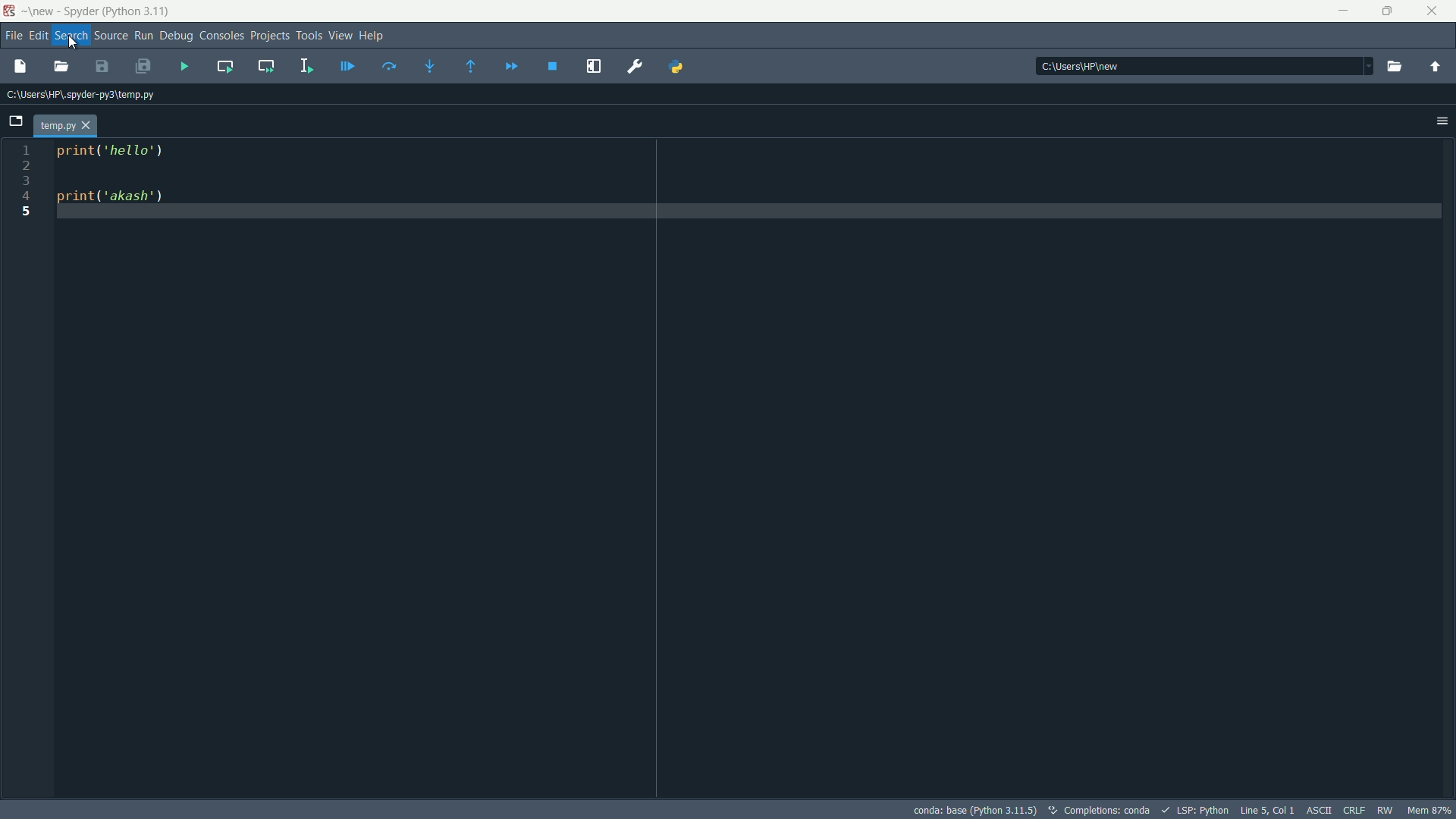 This screenshot has width=1456, height=819. Describe the element at coordinates (108, 36) in the screenshot. I see `source menu` at that location.